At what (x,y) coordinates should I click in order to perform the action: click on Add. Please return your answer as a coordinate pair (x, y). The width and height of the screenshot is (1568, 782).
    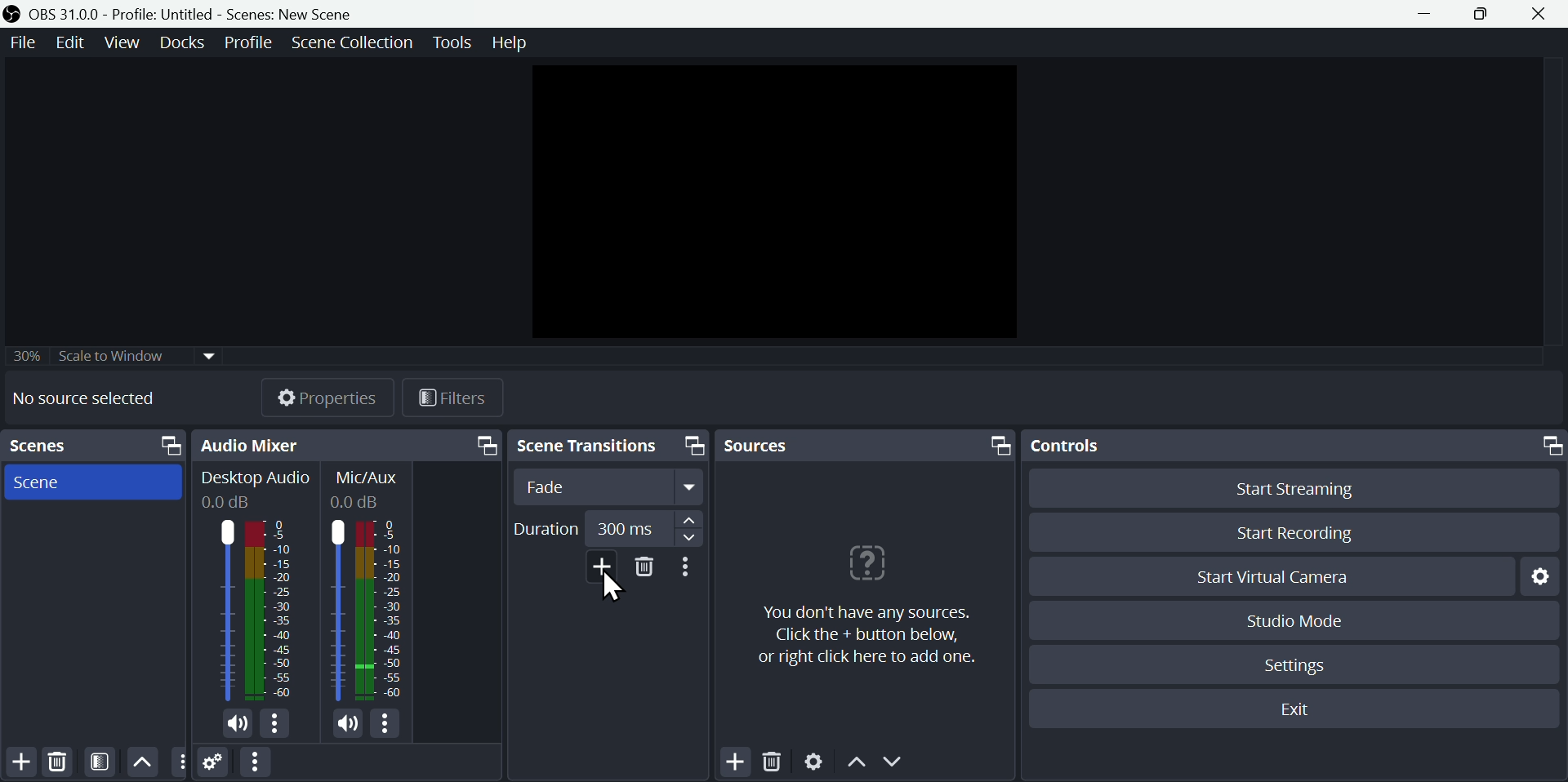
    Looking at the image, I should click on (21, 762).